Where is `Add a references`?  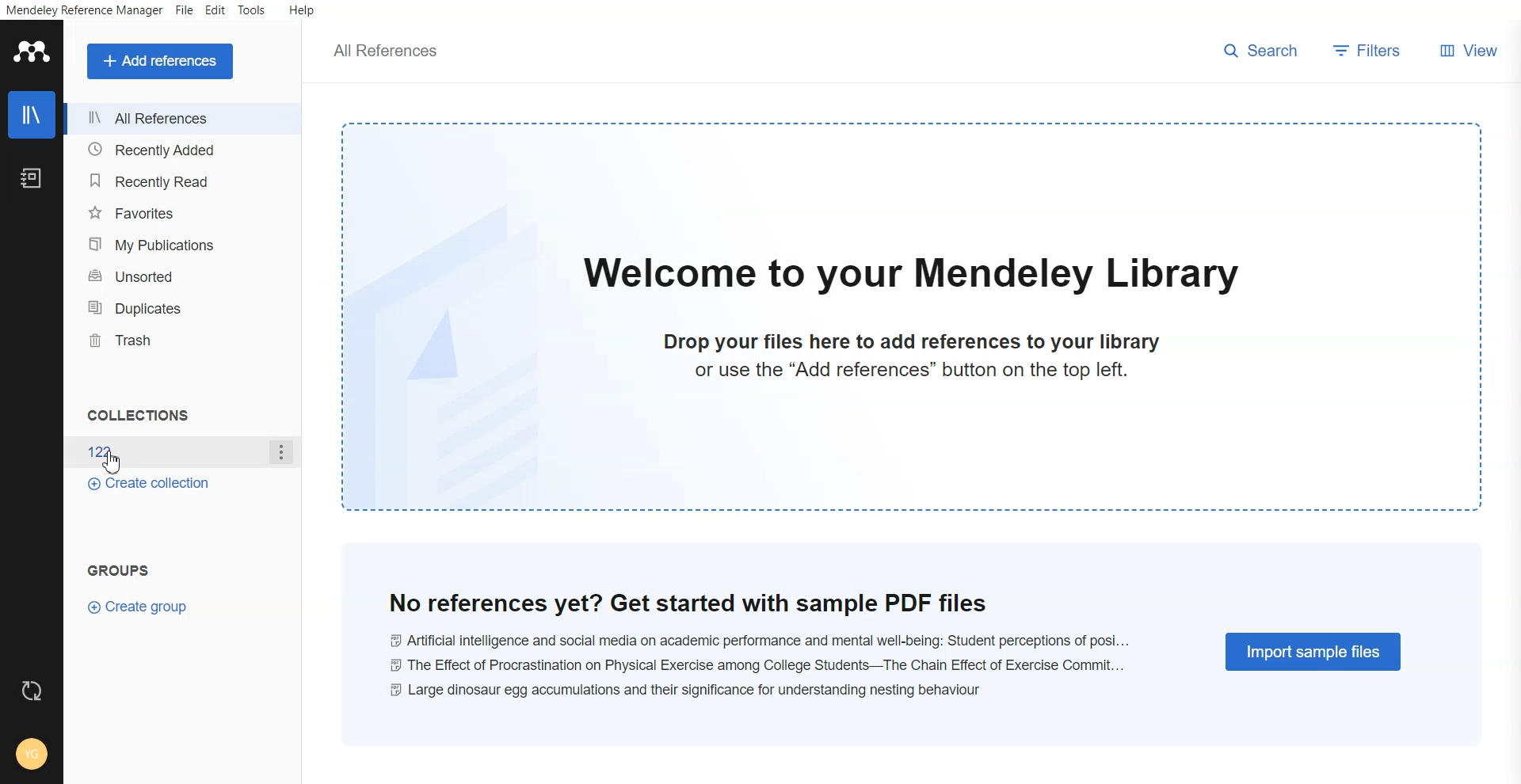 Add a references is located at coordinates (158, 62).